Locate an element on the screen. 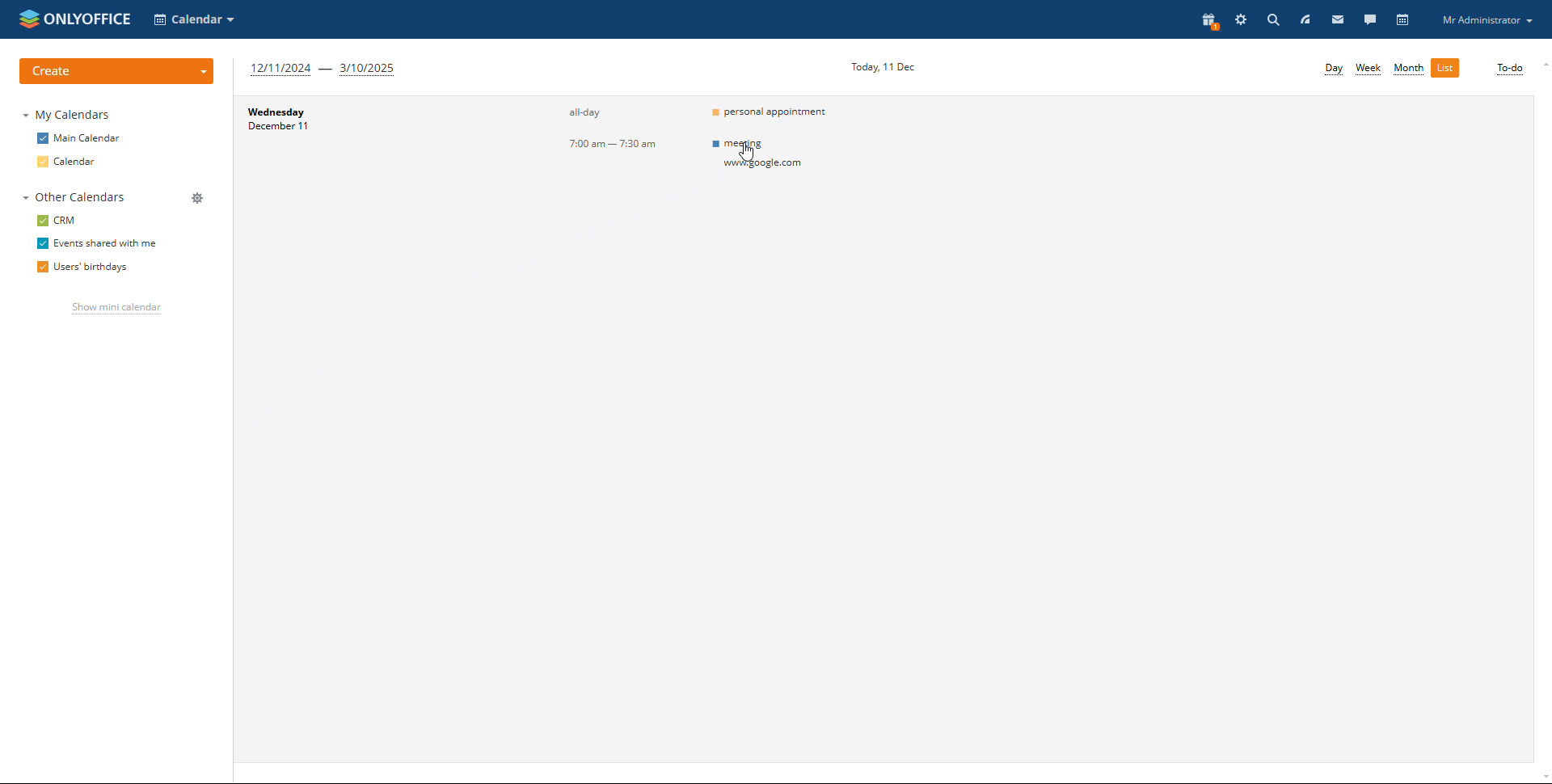 The image size is (1552, 784). next three months is located at coordinates (325, 70).